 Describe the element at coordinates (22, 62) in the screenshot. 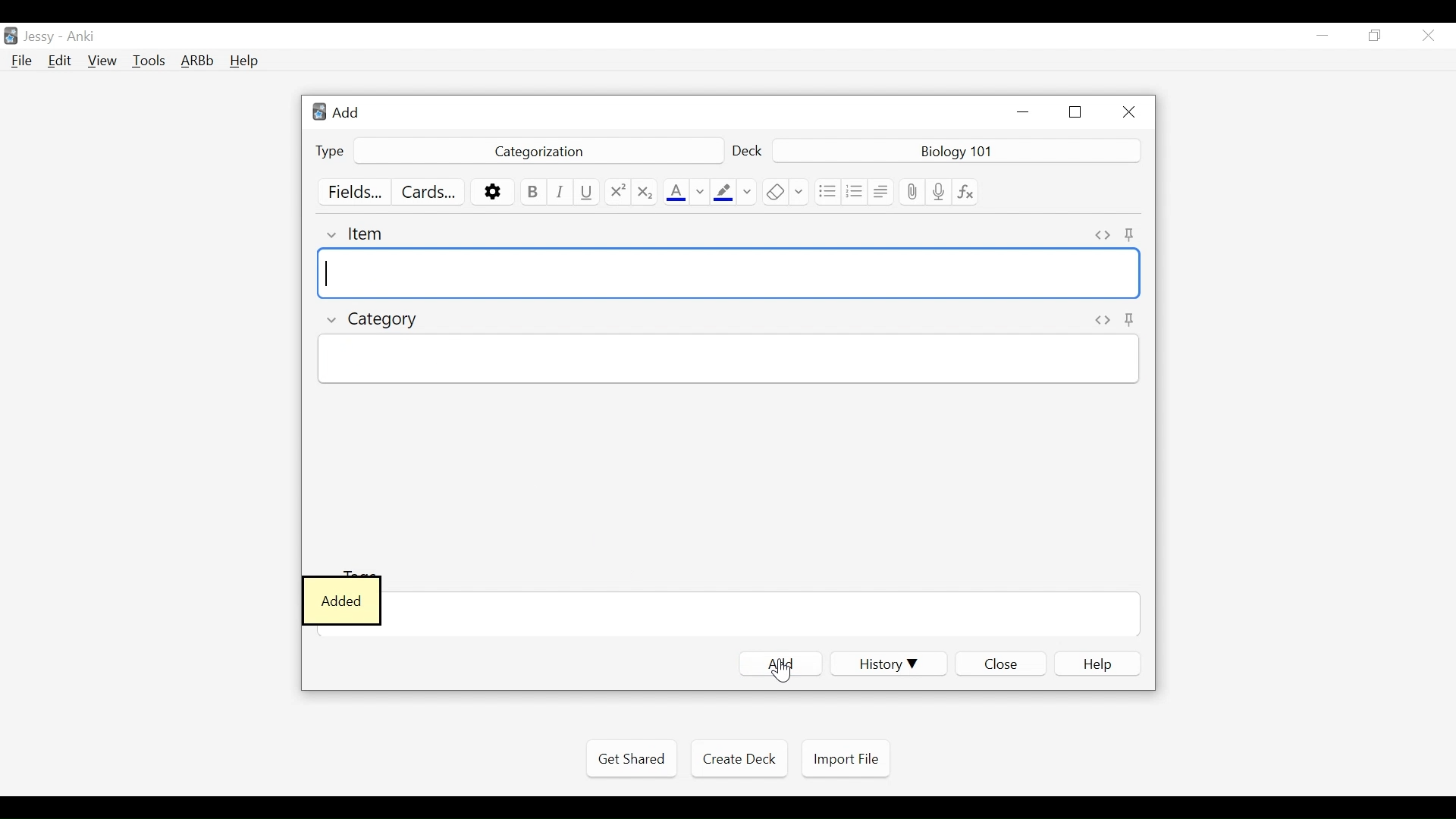

I see `File` at that location.